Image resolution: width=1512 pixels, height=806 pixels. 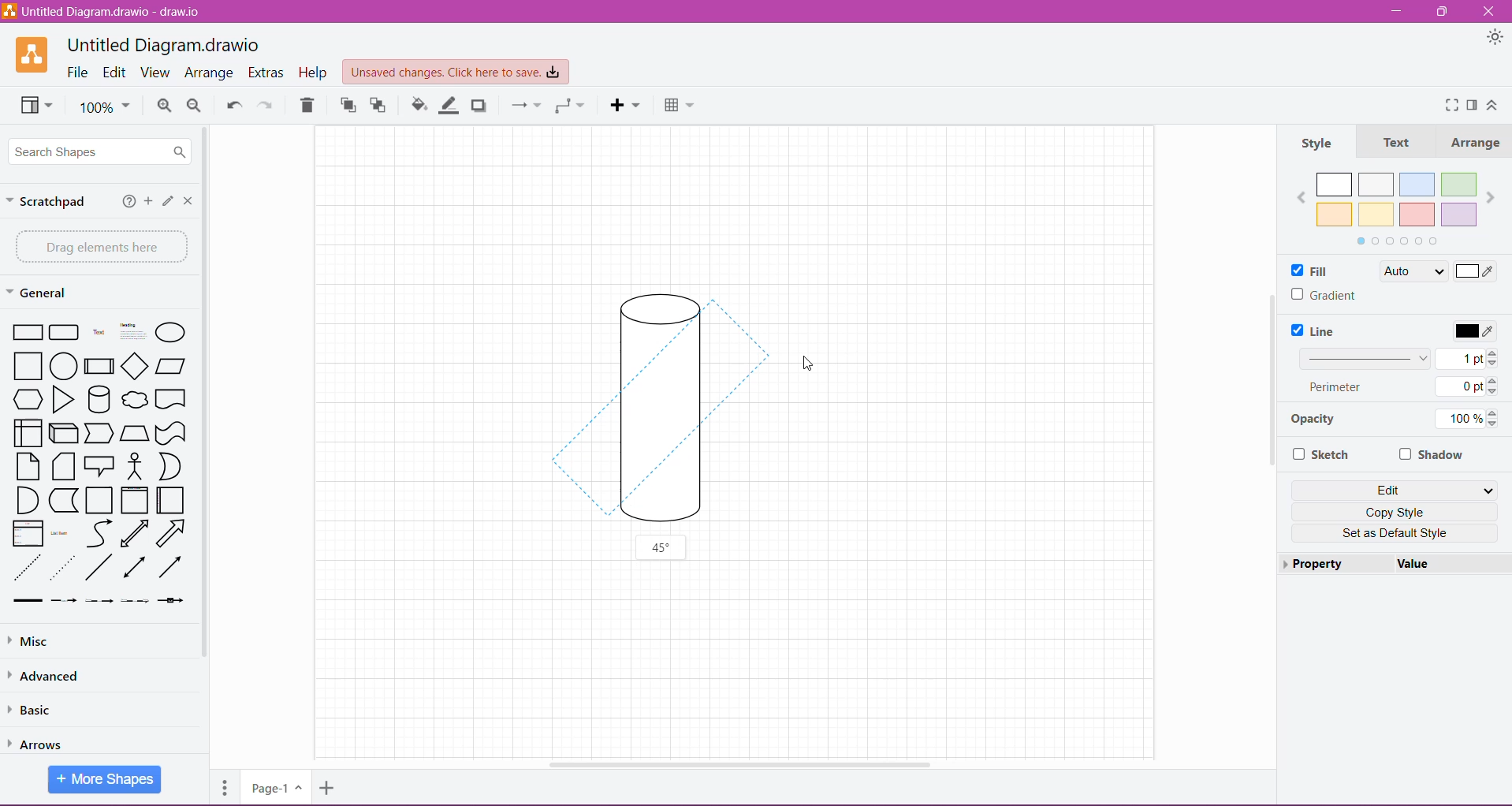 I want to click on Fill Color, so click(x=415, y=107).